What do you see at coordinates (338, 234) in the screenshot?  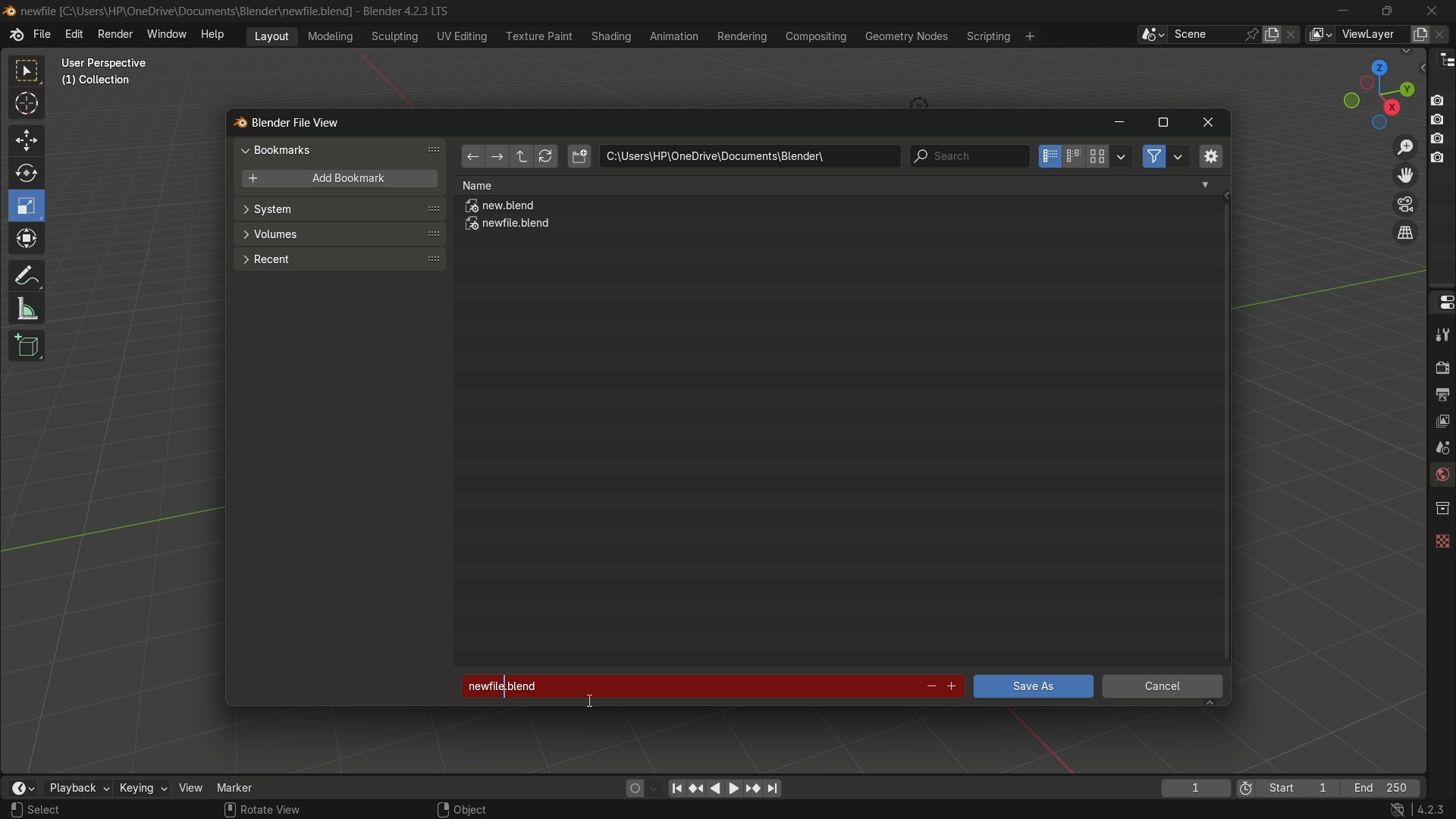 I see `volumes` at bounding box center [338, 234].